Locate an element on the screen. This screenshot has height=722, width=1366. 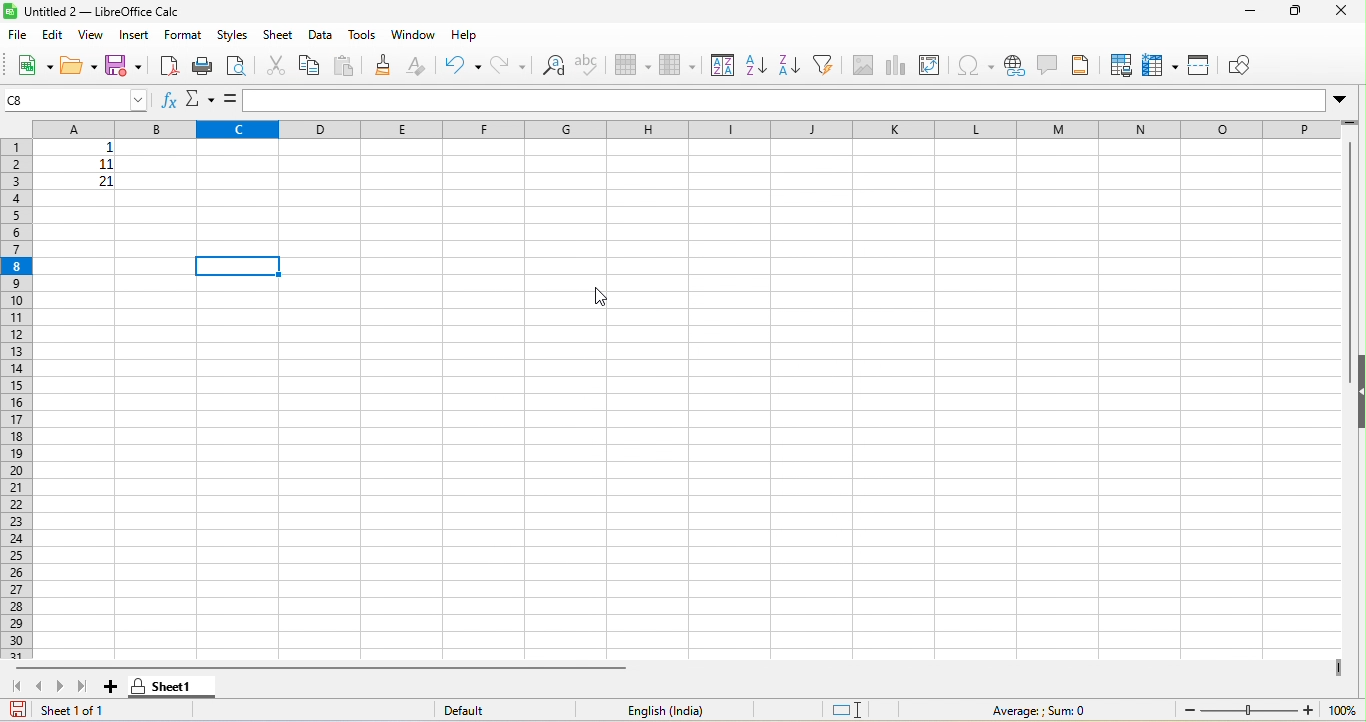
undo is located at coordinates (474, 66).